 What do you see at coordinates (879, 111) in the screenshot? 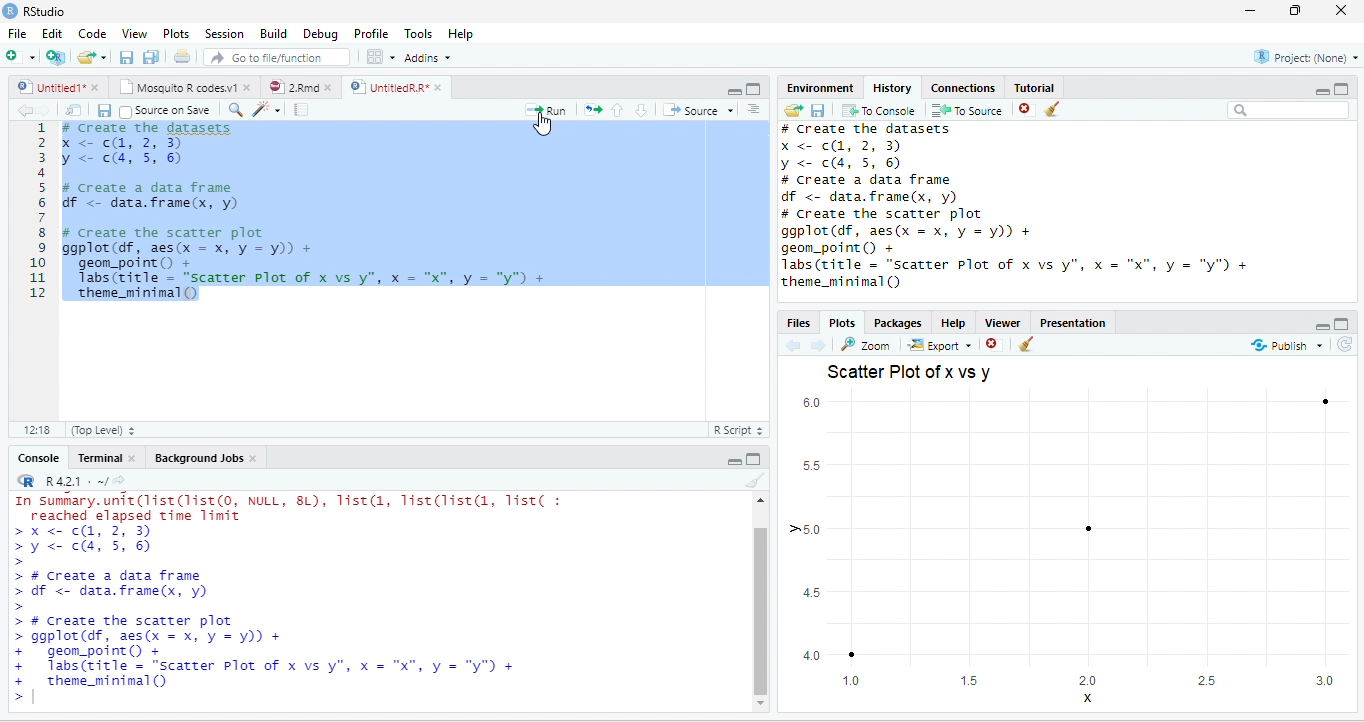
I see `To Console` at bounding box center [879, 111].